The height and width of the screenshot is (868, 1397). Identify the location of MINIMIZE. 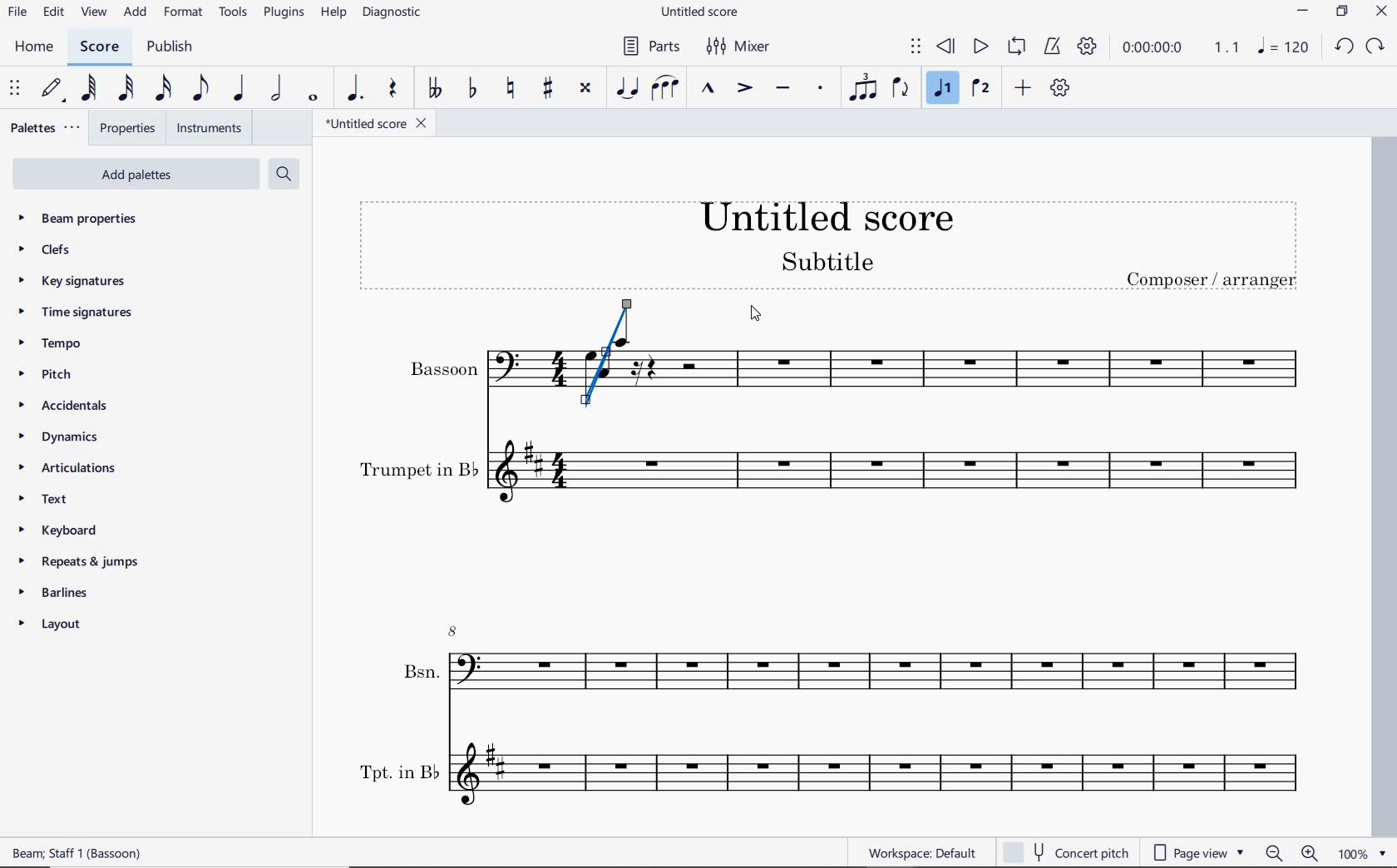
(1303, 12).